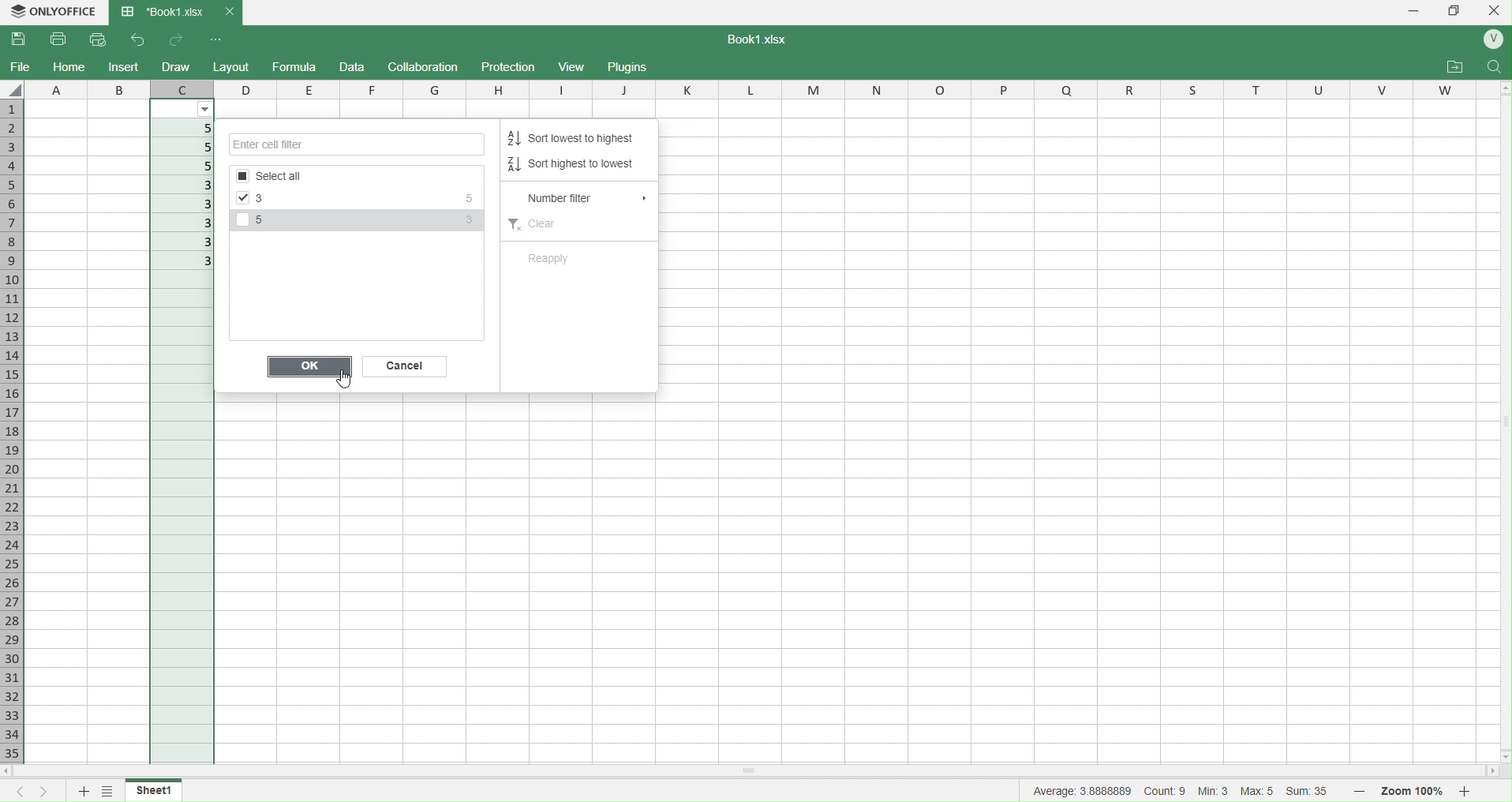  What do you see at coordinates (85, 791) in the screenshot?
I see `new sheet` at bounding box center [85, 791].